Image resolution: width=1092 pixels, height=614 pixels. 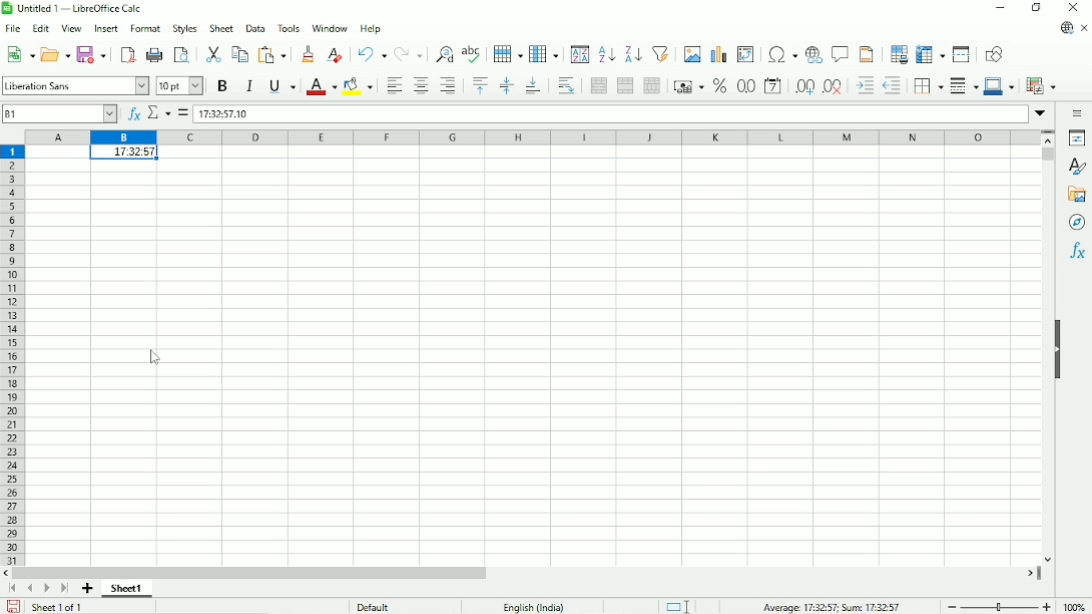 What do you see at coordinates (897, 53) in the screenshot?
I see `Define print area` at bounding box center [897, 53].